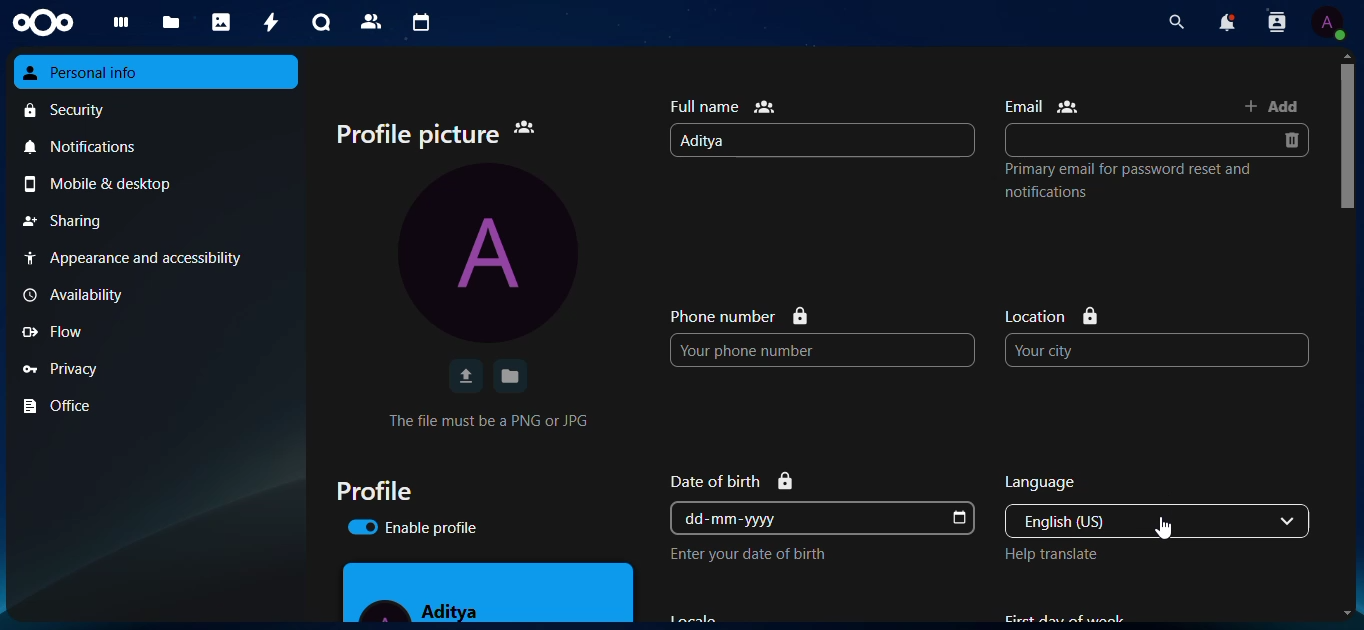  Describe the element at coordinates (1349, 136) in the screenshot. I see `scroll bar` at that location.